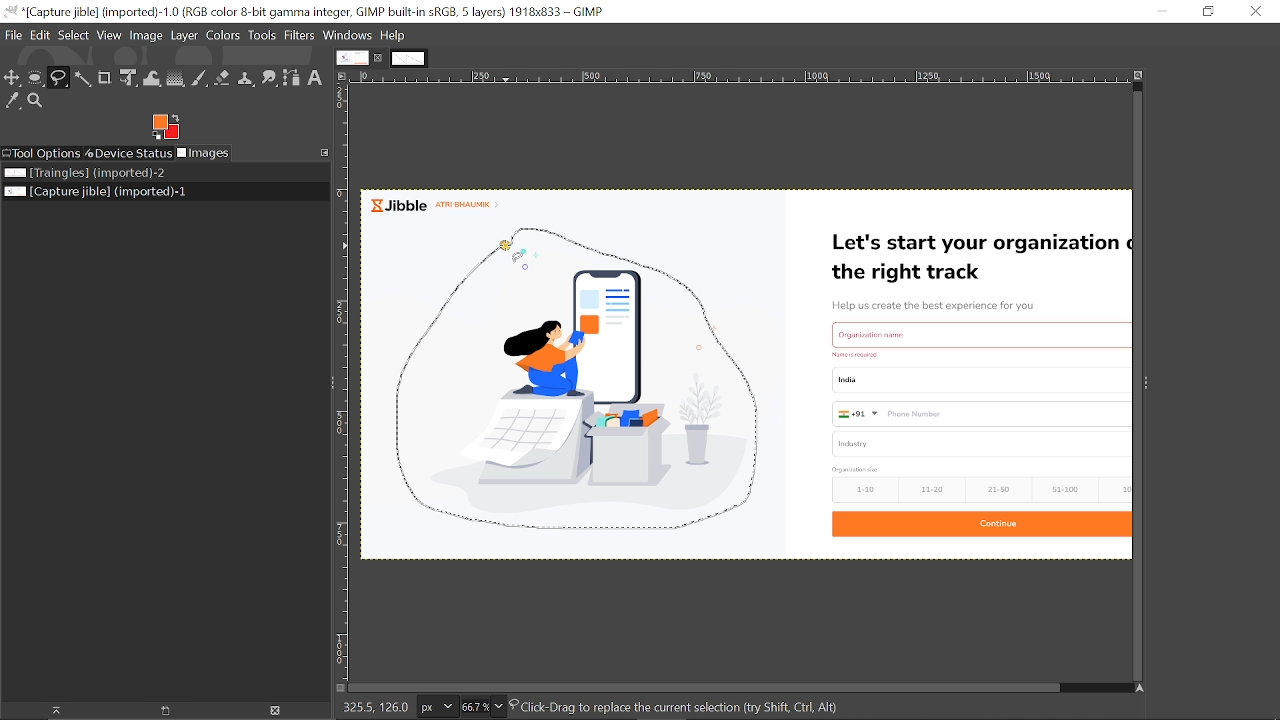  What do you see at coordinates (51, 710) in the screenshot?
I see `raise the image display` at bounding box center [51, 710].